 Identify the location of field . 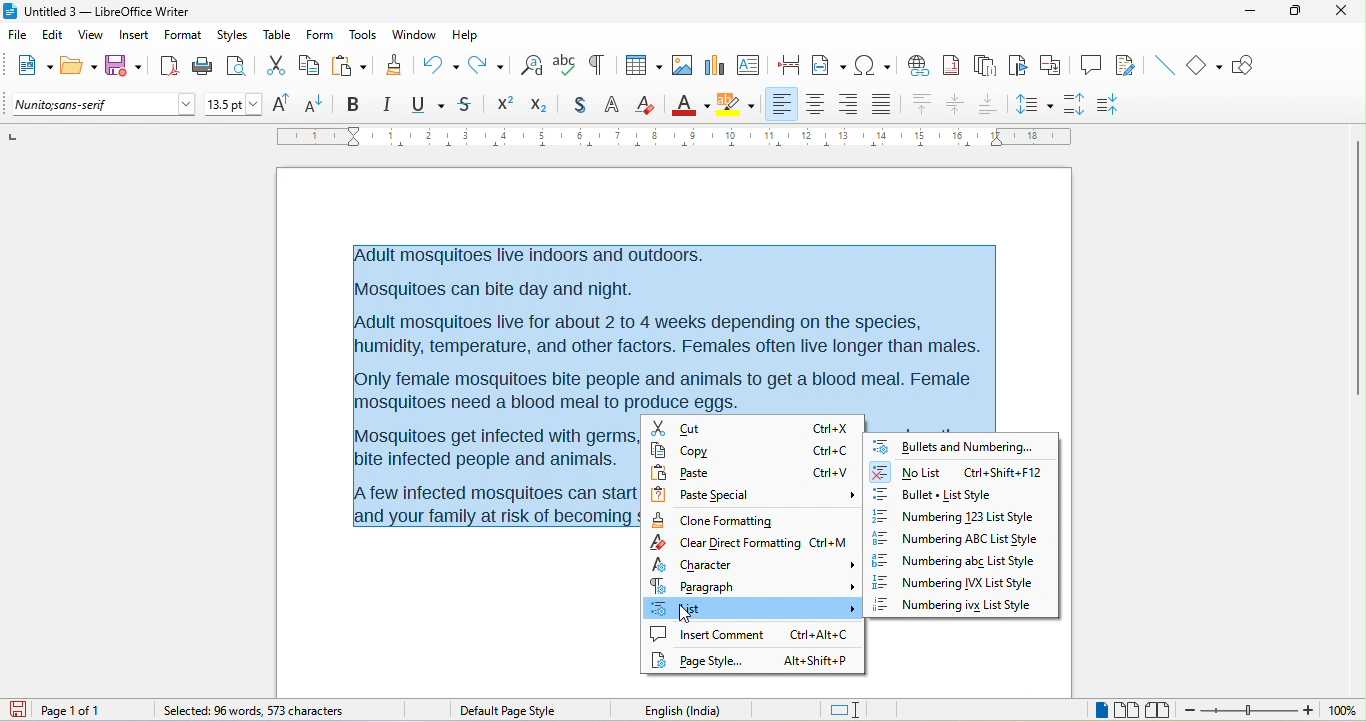
(829, 66).